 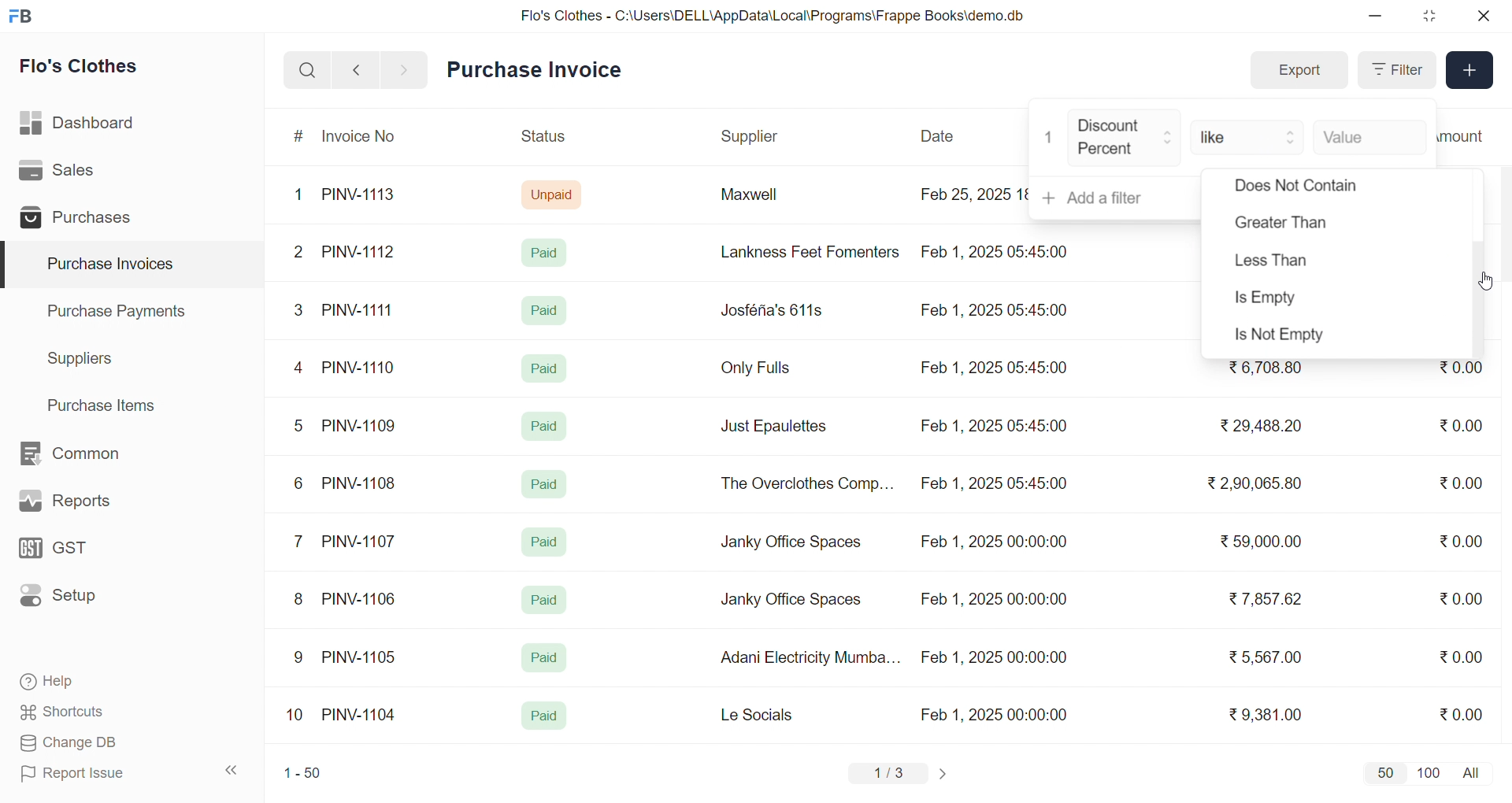 What do you see at coordinates (356, 69) in the screenshot?
I see `navigate backward` at bounding box center [356, 69].